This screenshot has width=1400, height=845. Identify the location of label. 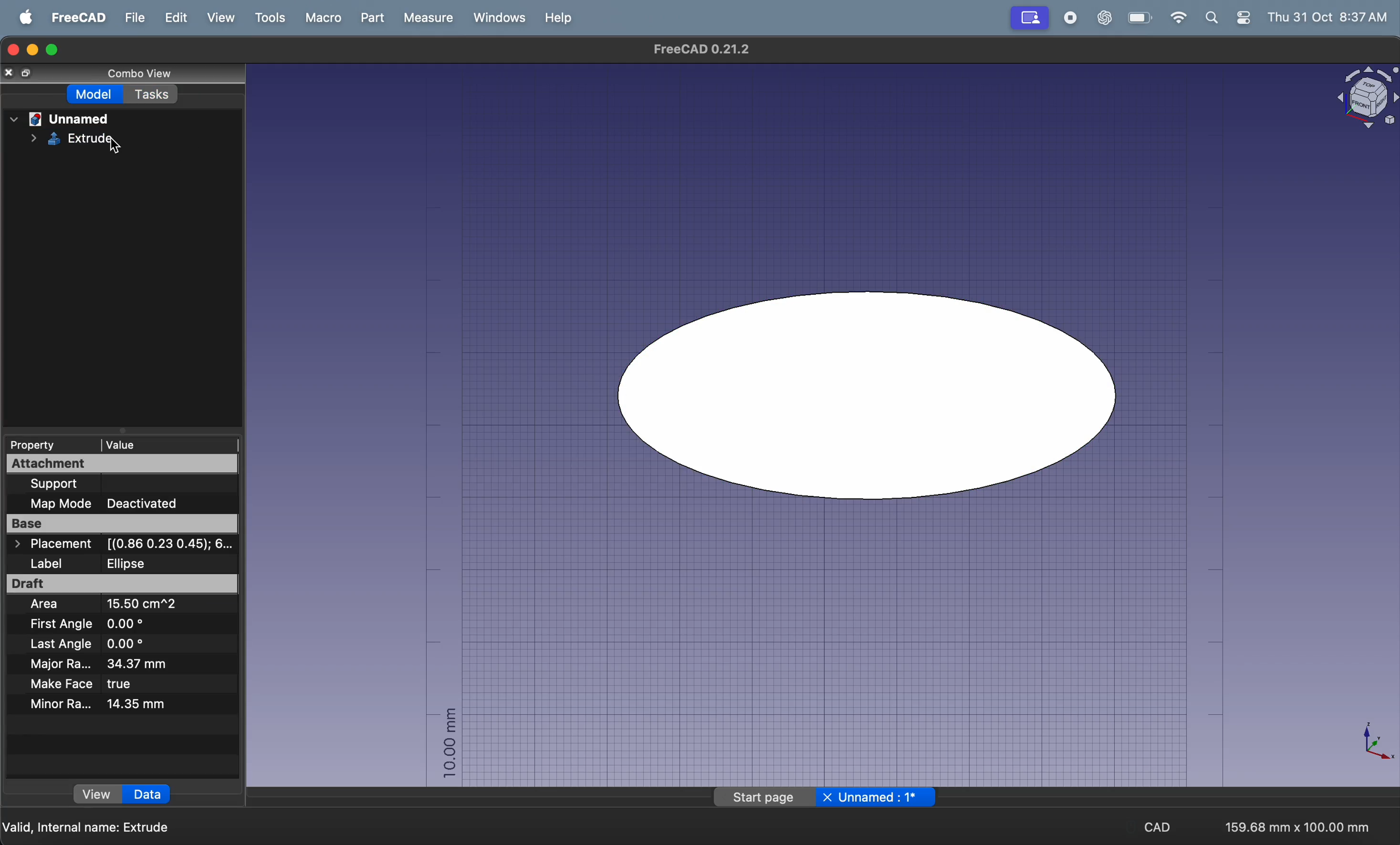
(120, 562).